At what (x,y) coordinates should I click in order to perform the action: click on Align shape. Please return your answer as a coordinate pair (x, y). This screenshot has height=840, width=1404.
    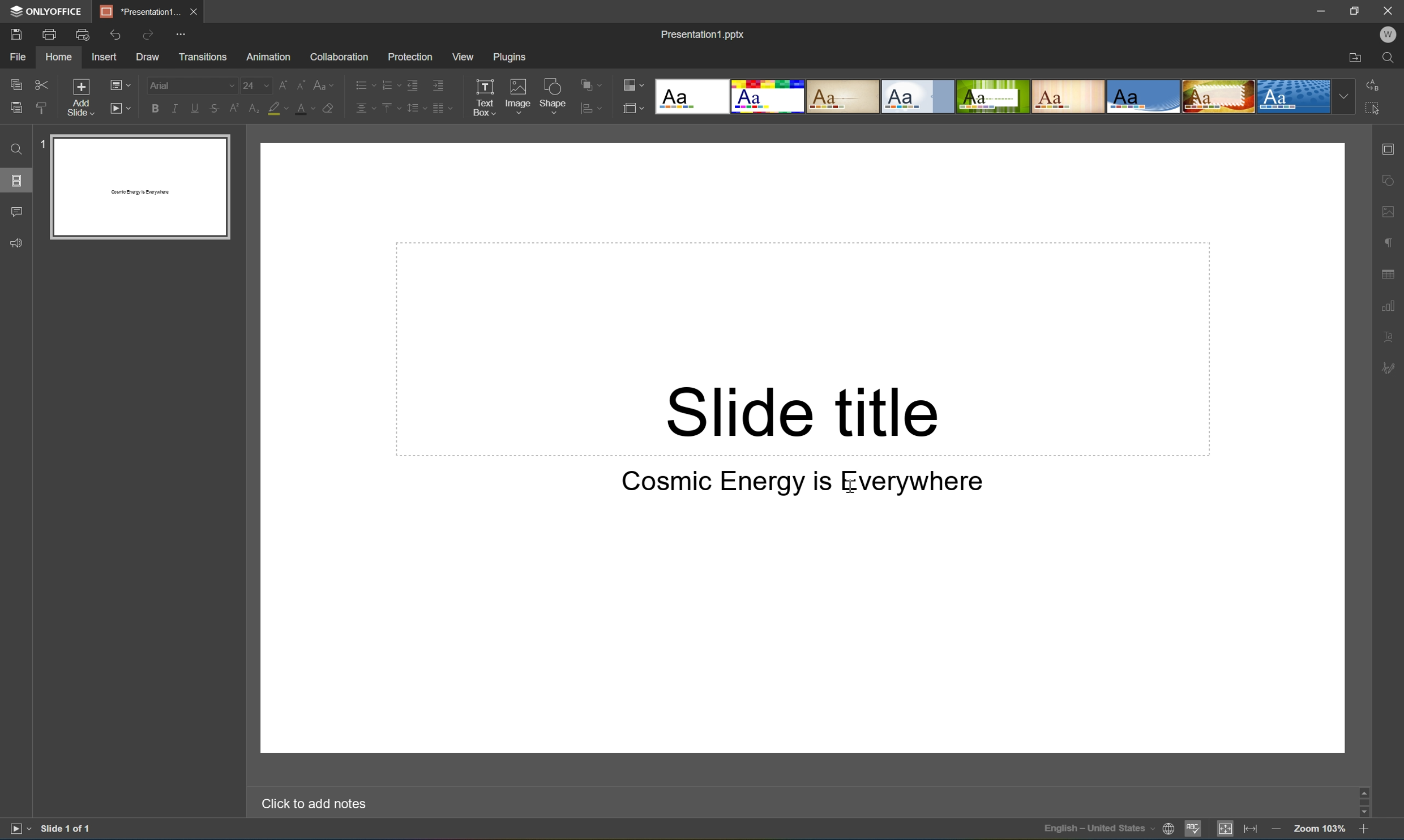
    Looking at the image, I should click on (592, 111).